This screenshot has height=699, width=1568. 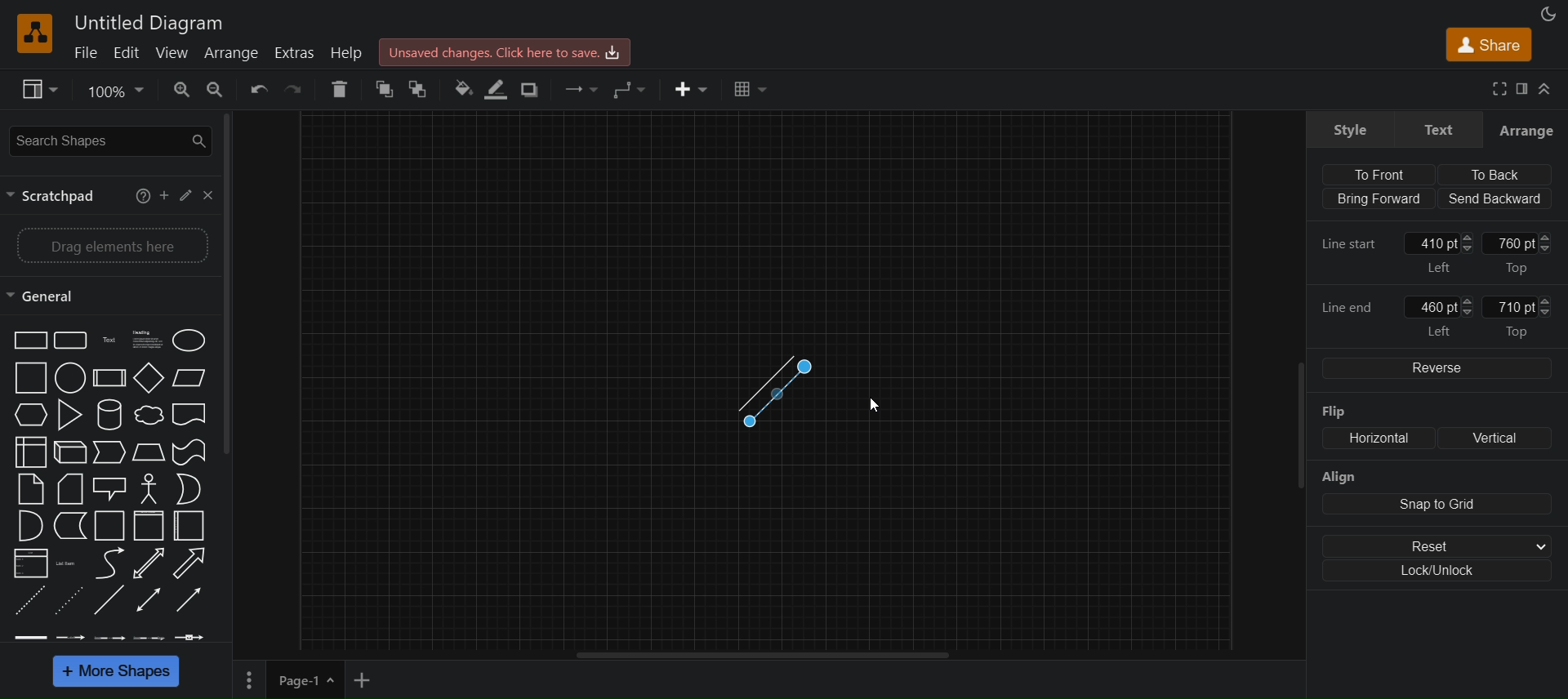 I want to click on Cloud, so click(x=147, y=415).